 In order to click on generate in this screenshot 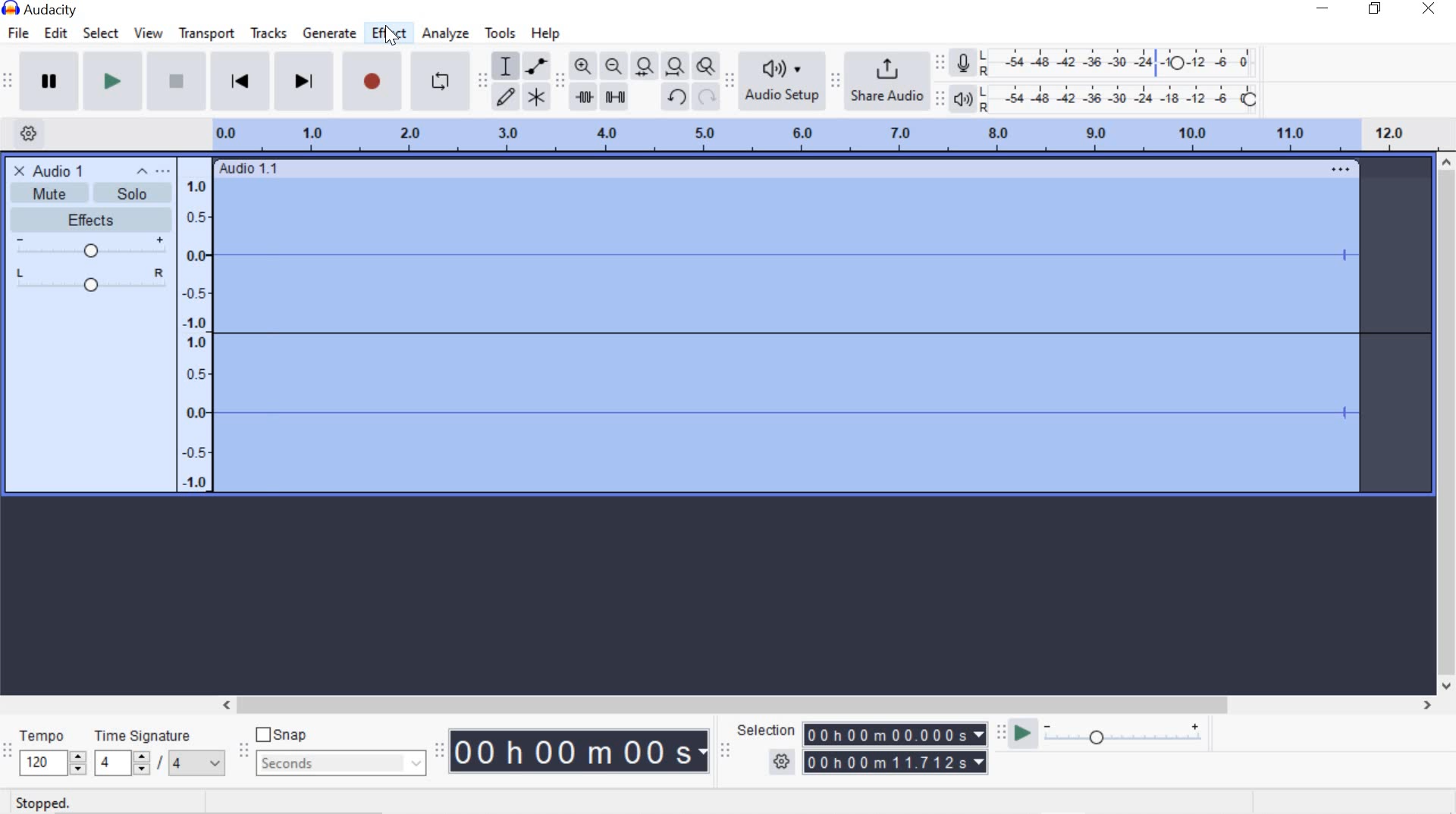, I will do `click(328, 34)`.